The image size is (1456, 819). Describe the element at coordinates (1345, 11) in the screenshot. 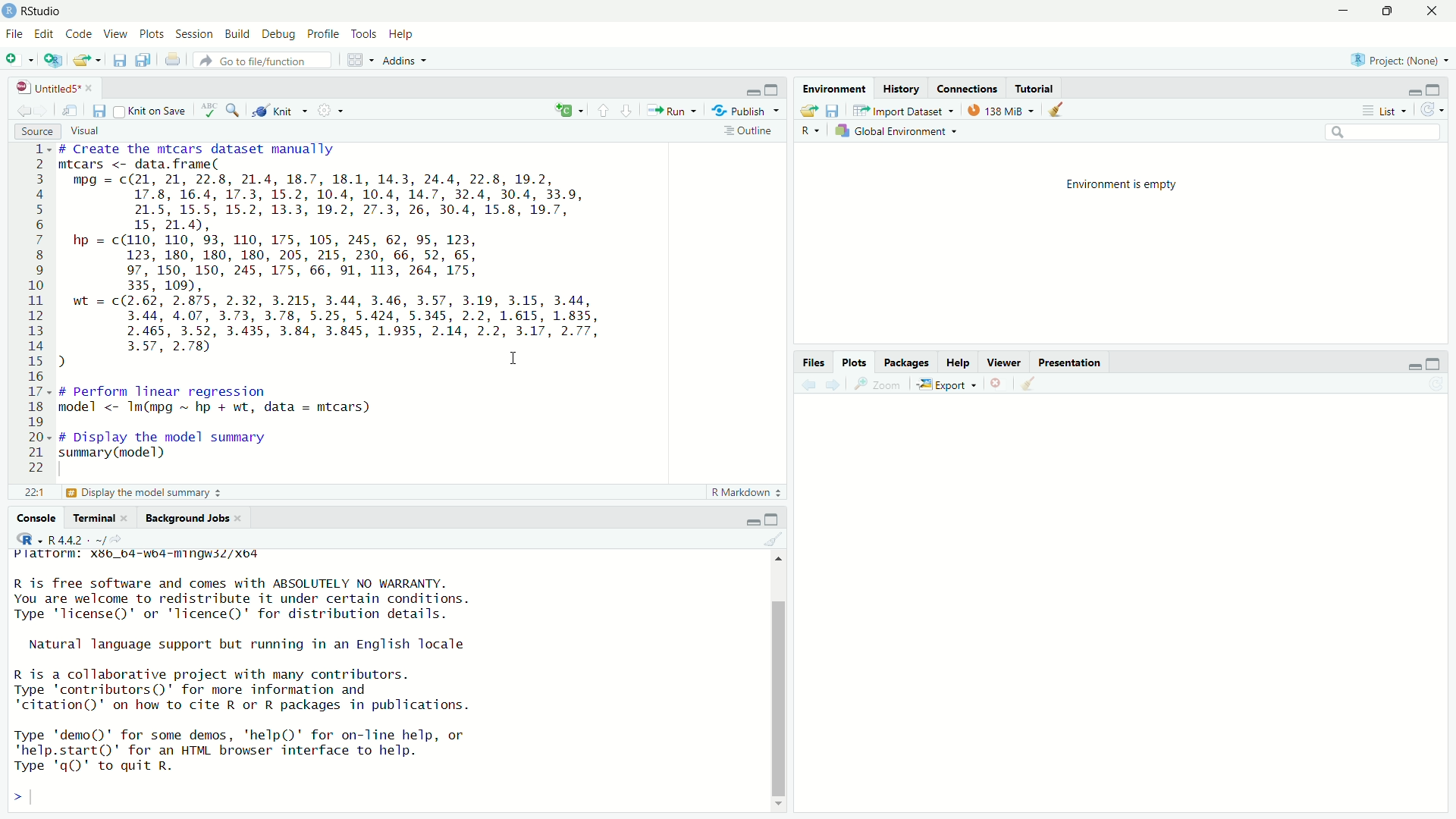

I see `minimize` at that location.